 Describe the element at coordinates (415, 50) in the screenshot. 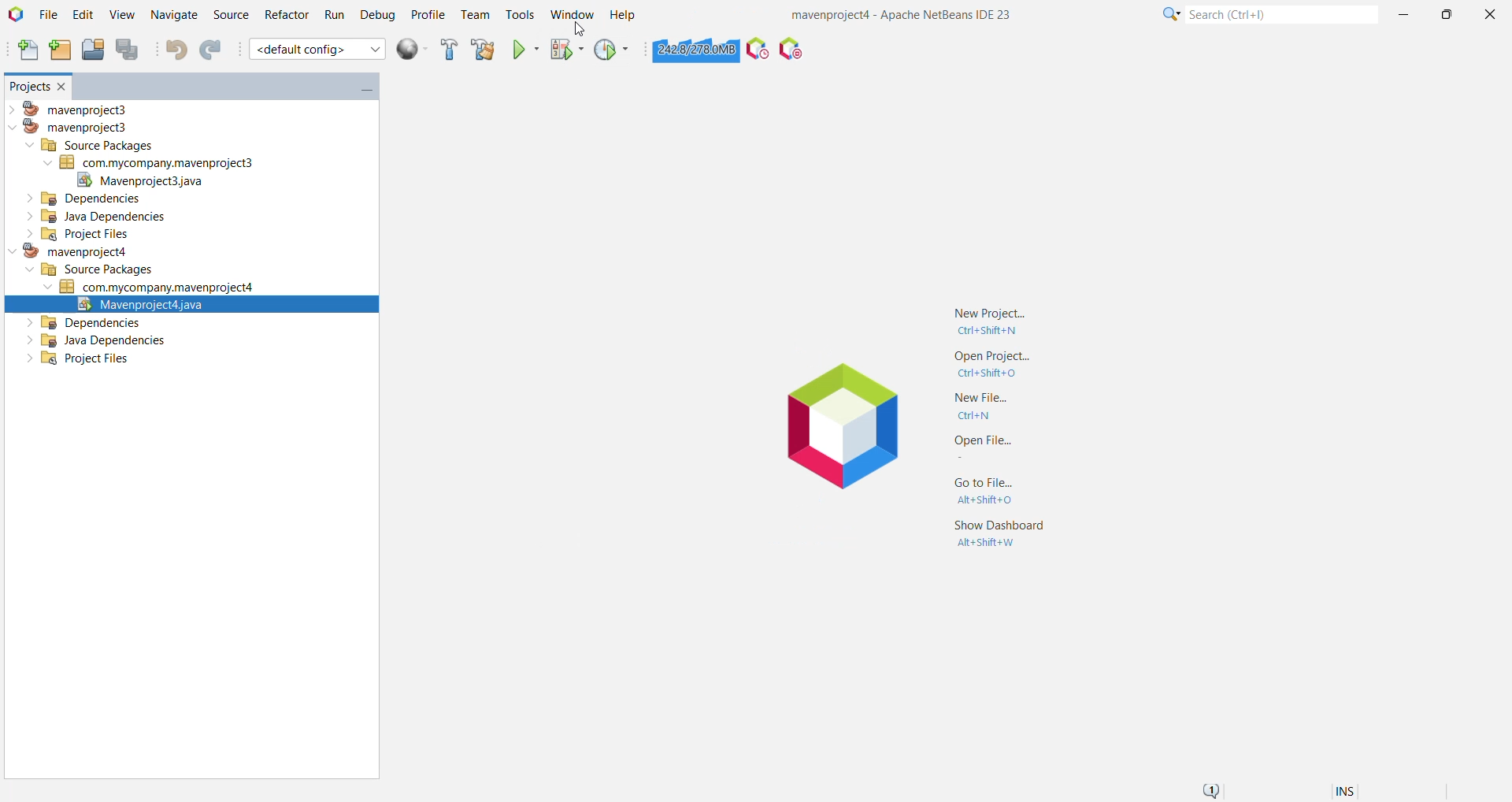

I see `` at that location.